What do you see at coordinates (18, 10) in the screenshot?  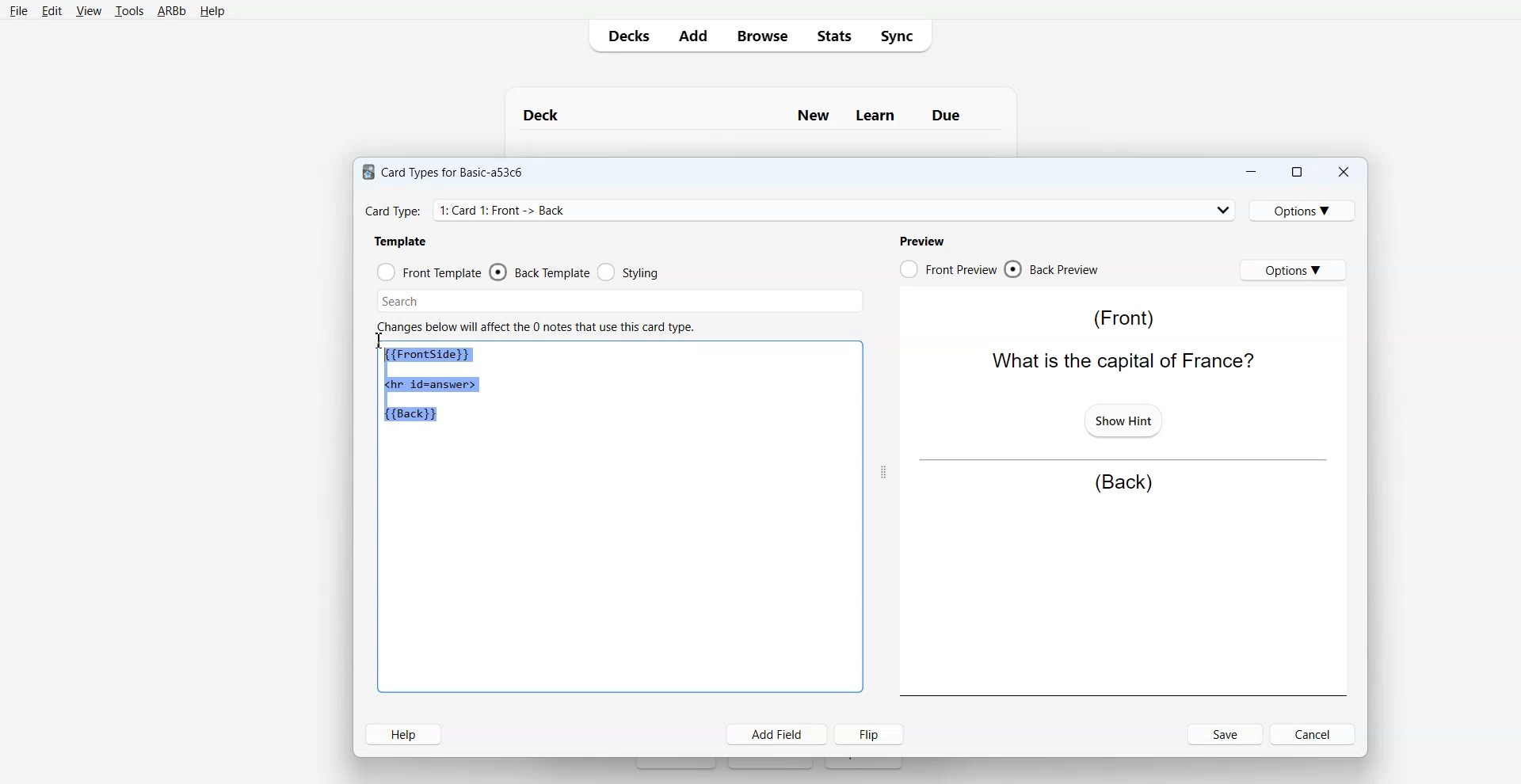 I see `File` at bounding box center [18, 10].